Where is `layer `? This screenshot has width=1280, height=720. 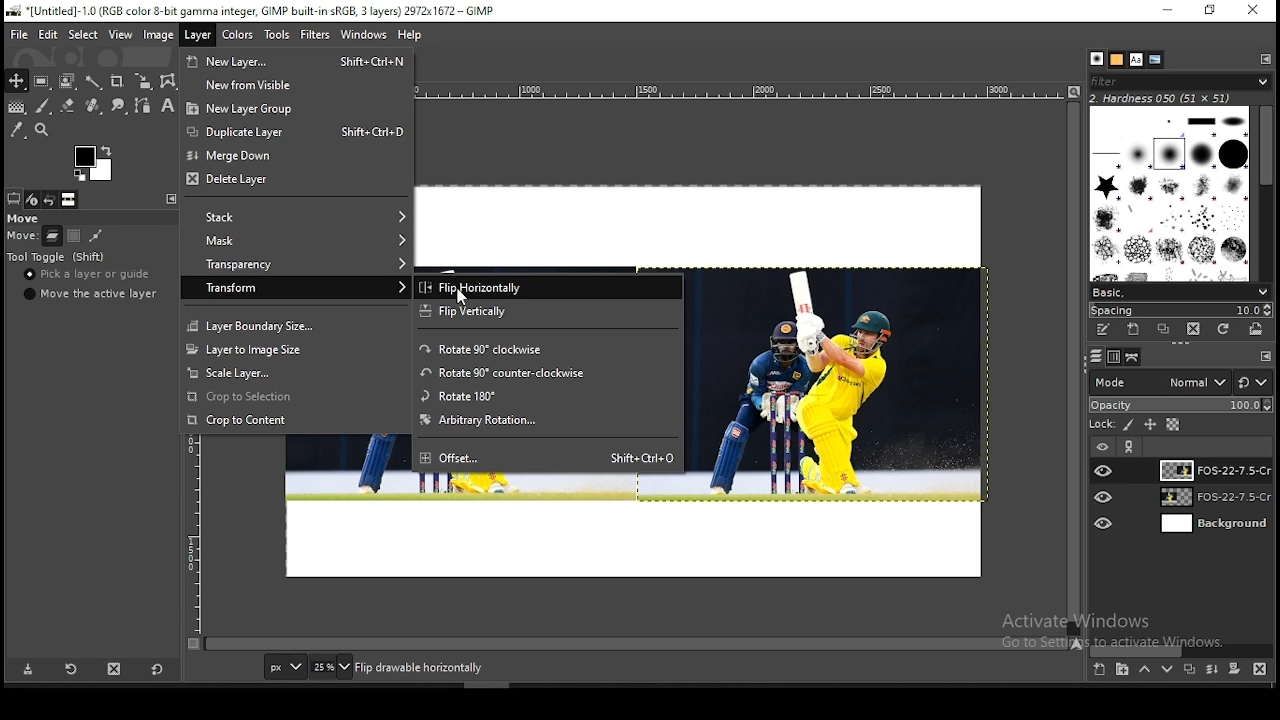
layer  is located at coordinates (1211, 470).